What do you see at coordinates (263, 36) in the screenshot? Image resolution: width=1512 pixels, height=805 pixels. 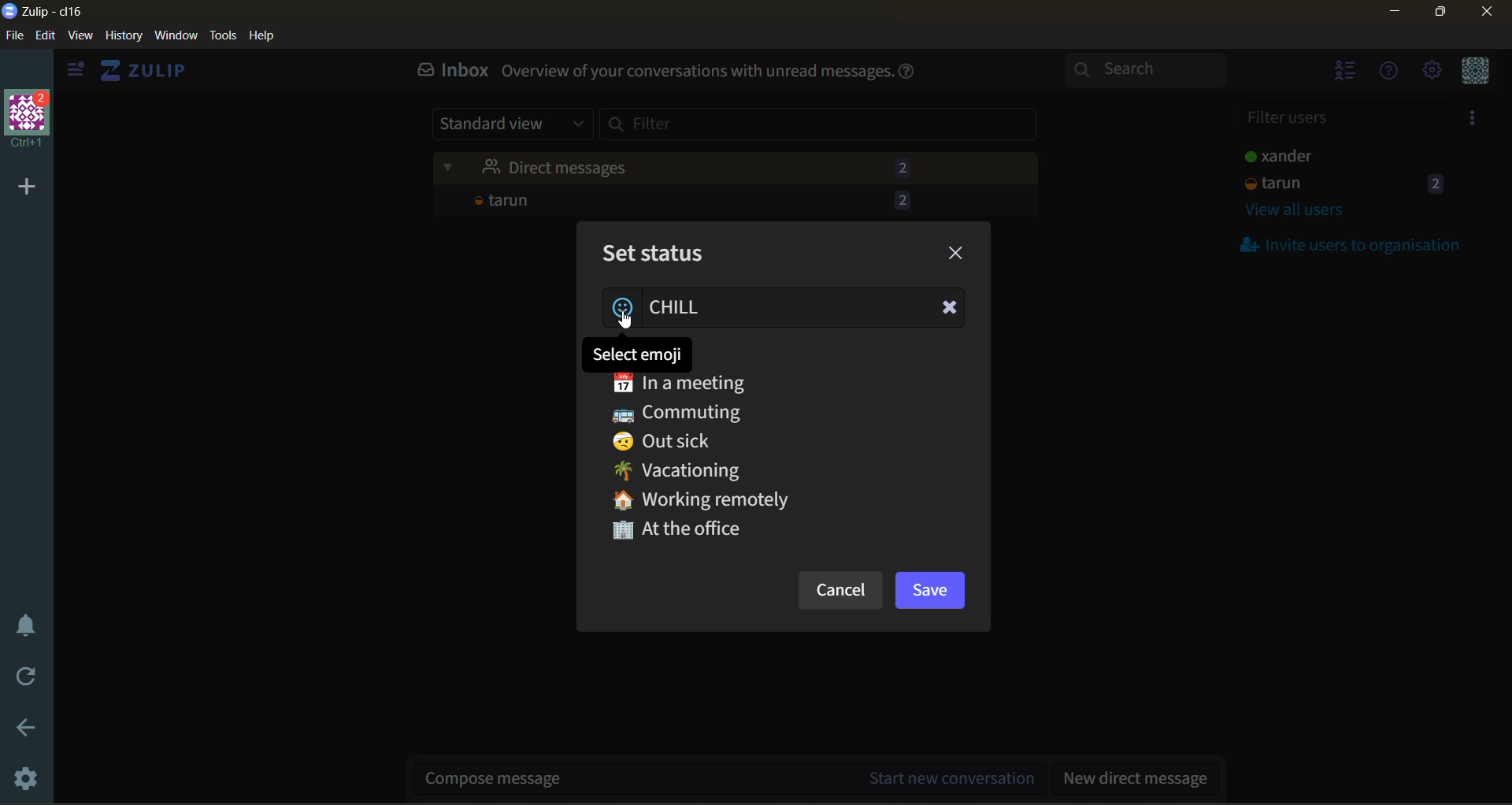 I see `help` at bounding box center [263, 36].